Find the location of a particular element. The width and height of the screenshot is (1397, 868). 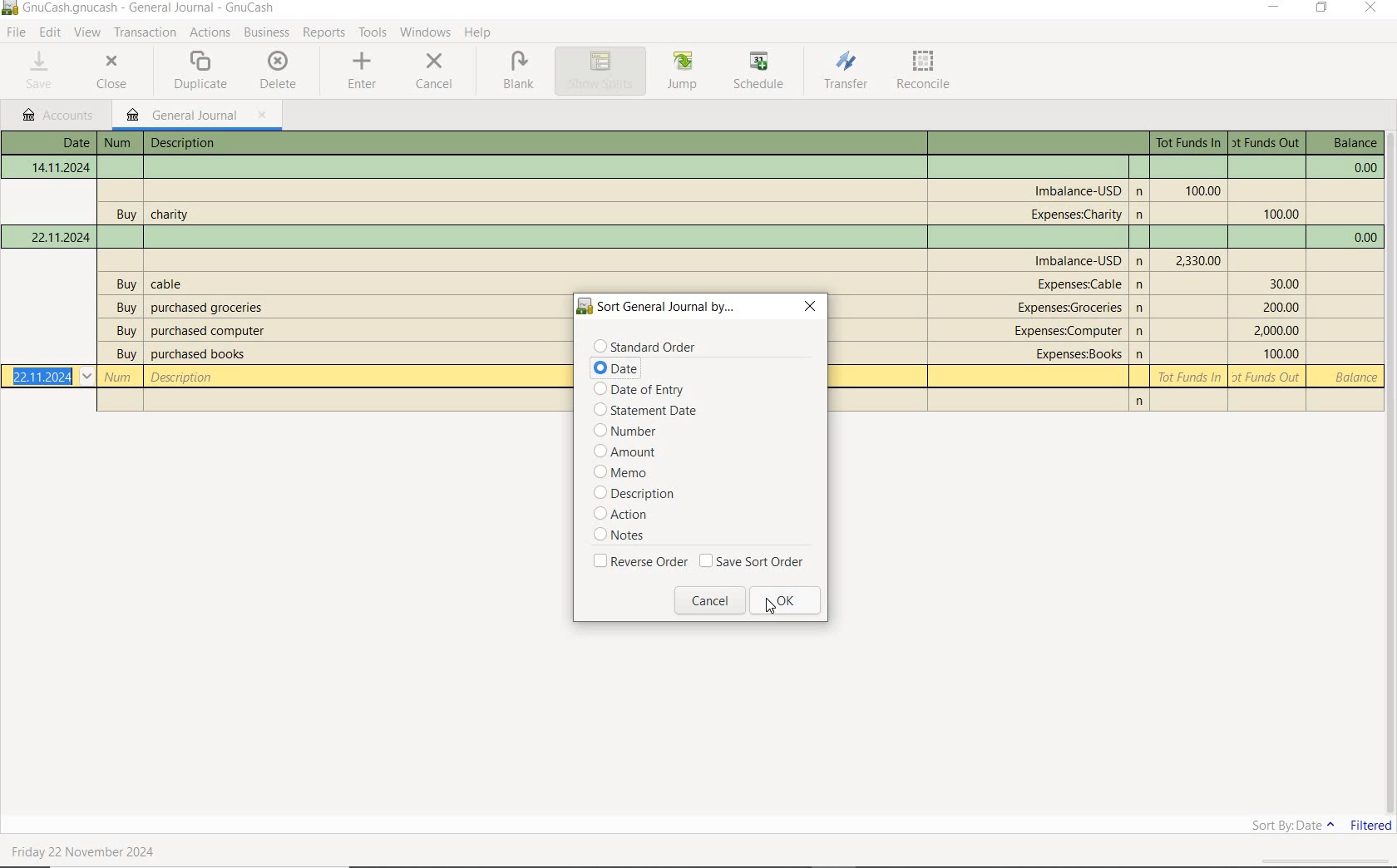

n is located at coordinates (1143, 287).